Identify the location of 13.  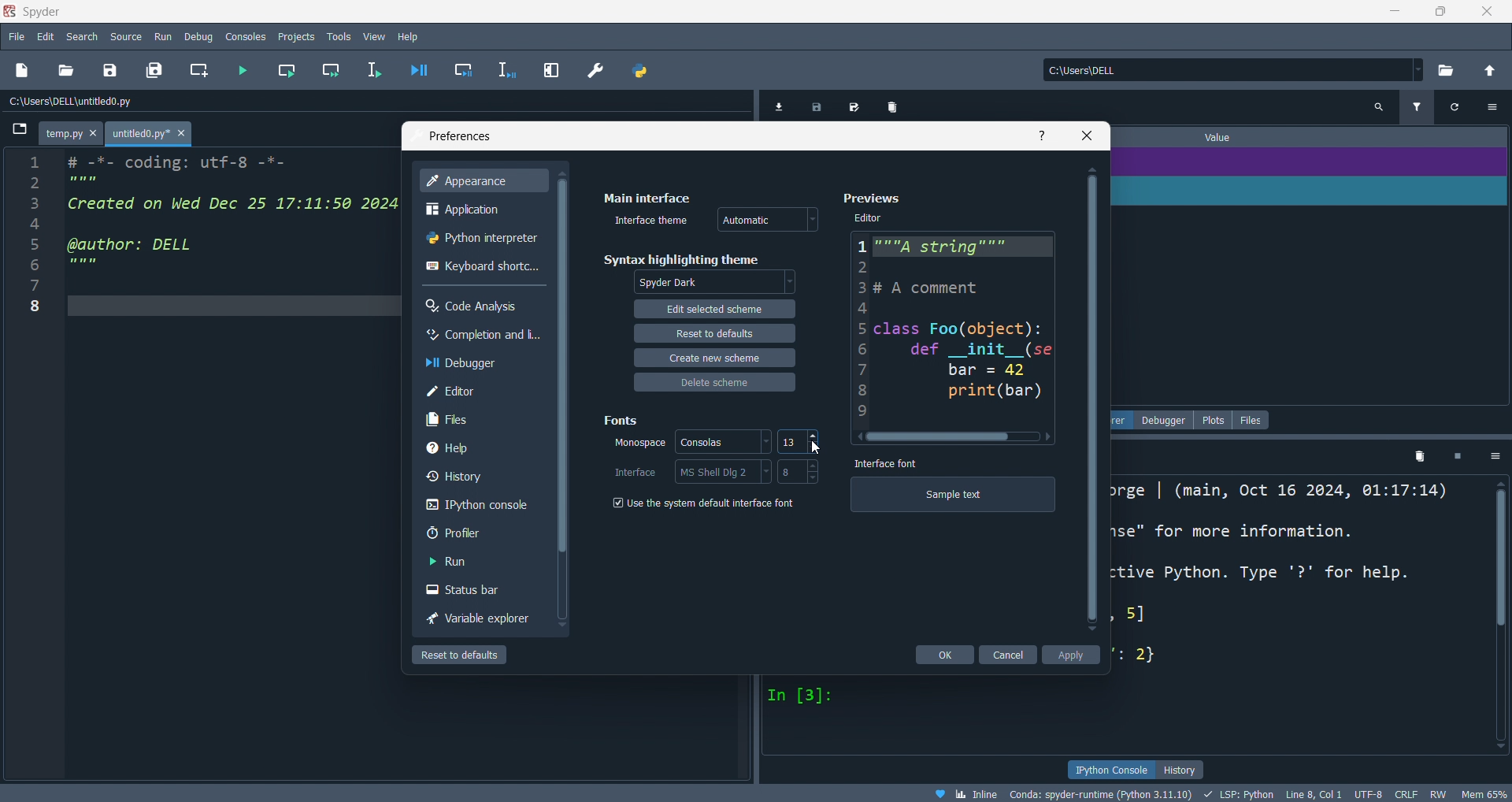
(792, 442).